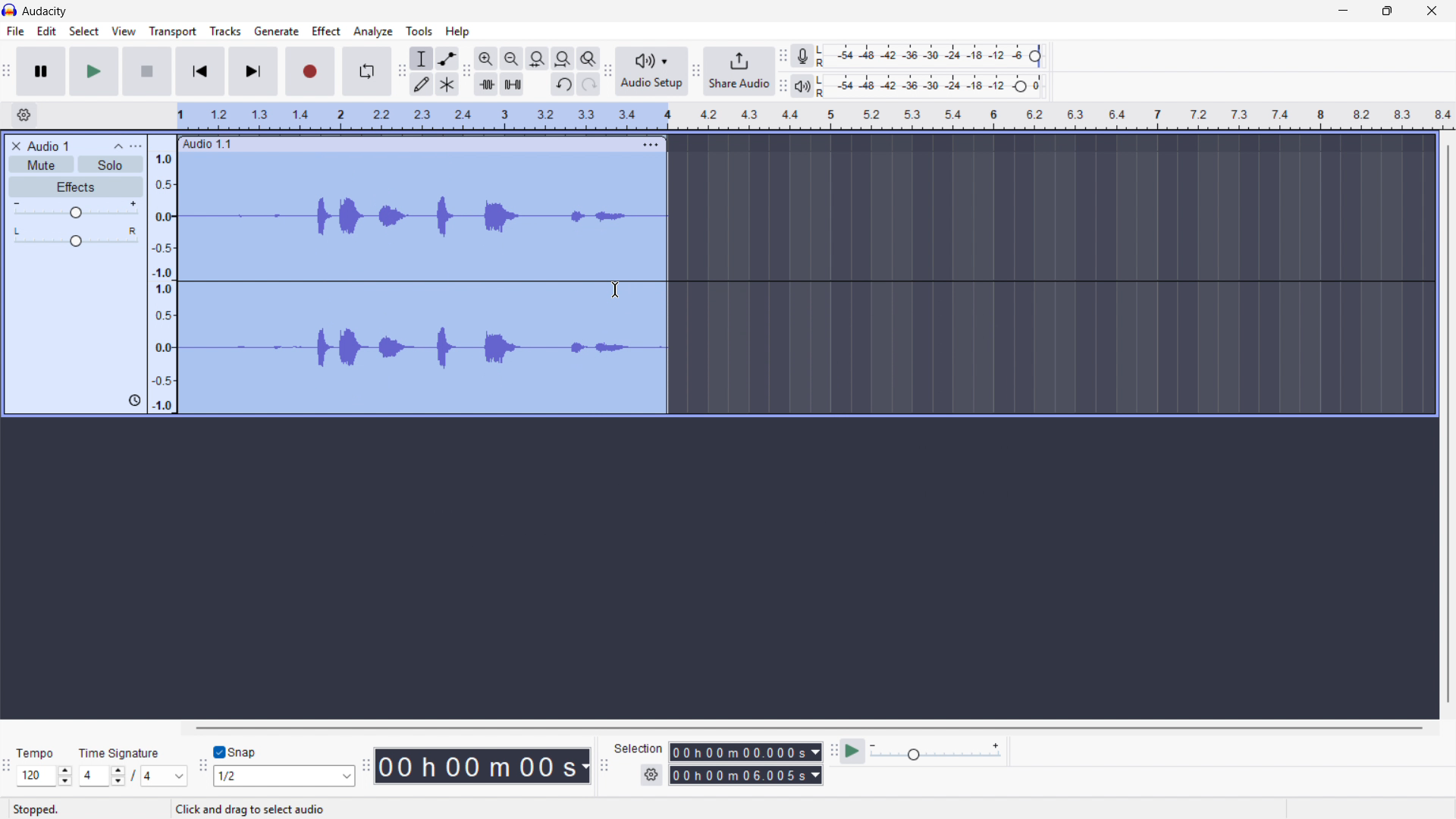 The width and height of the screenshot is (1456, 819). Describe the element at coordinates (804, 86) in the screenshot. I see `Playback metre` at that location.